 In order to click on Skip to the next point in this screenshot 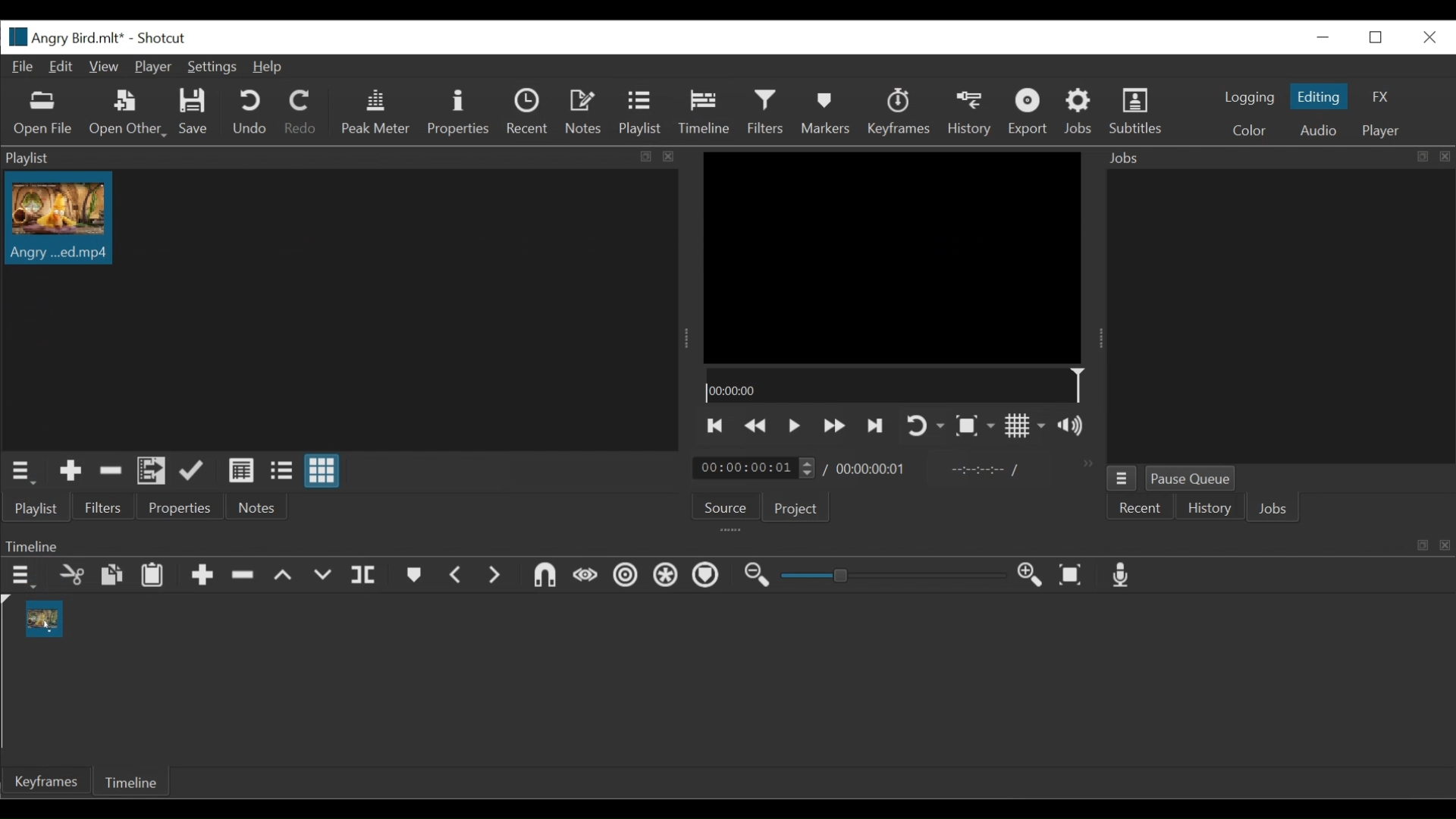, I will do `click(877, 427)`.